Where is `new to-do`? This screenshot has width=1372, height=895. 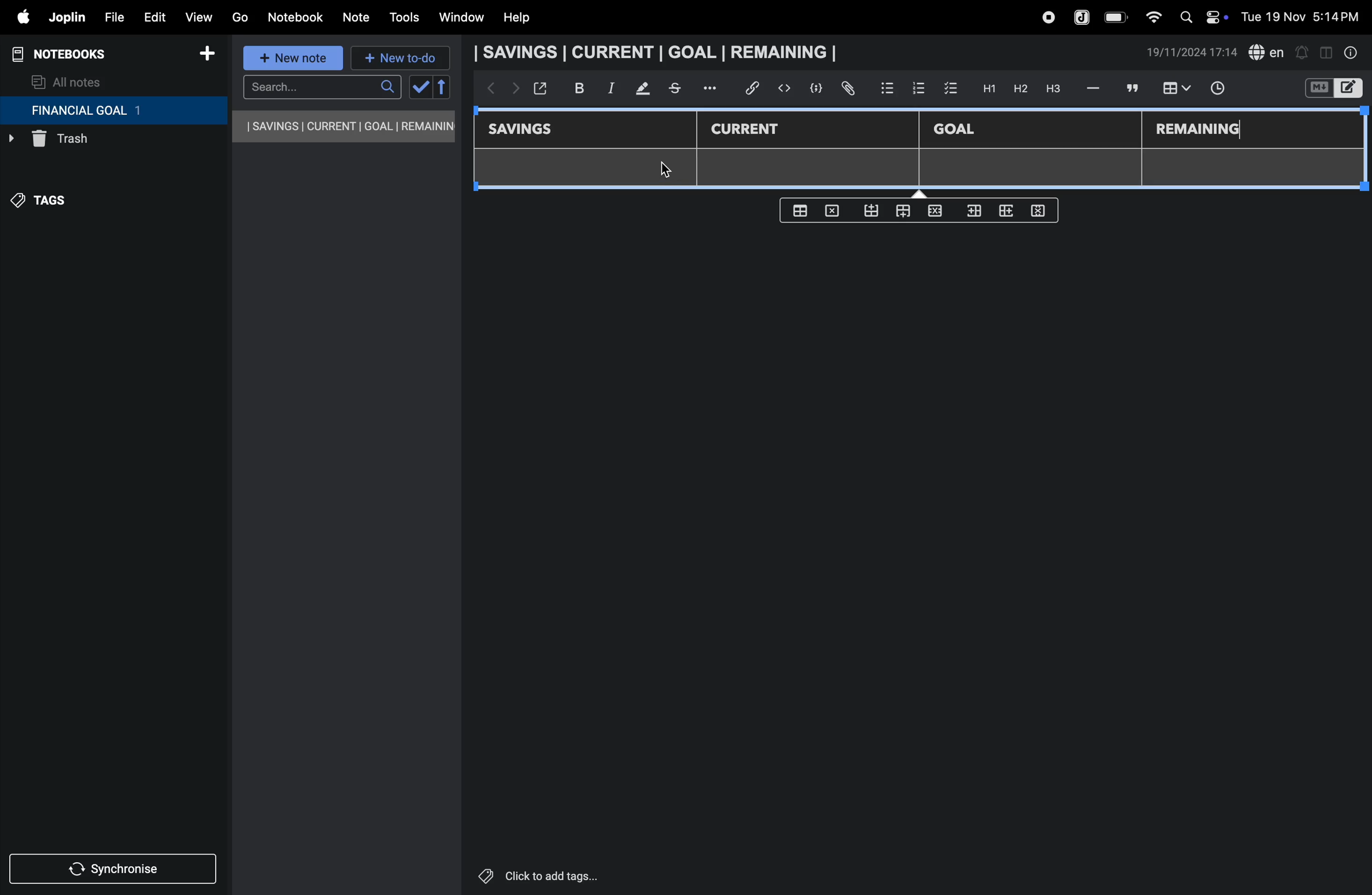
new to-do is located at coordinates (401, 59).